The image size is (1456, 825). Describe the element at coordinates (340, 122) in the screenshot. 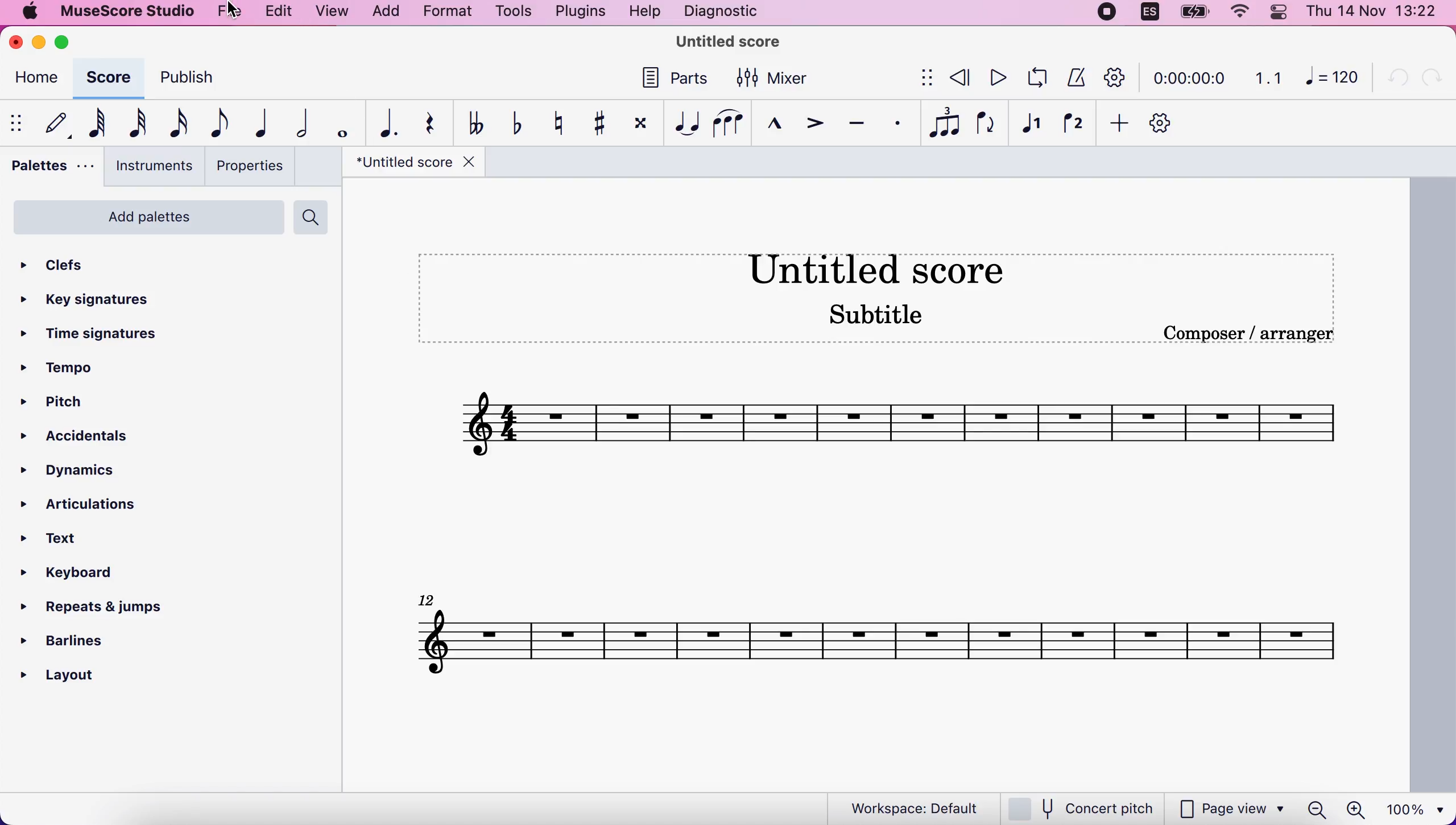

I see `whole note` at that location.